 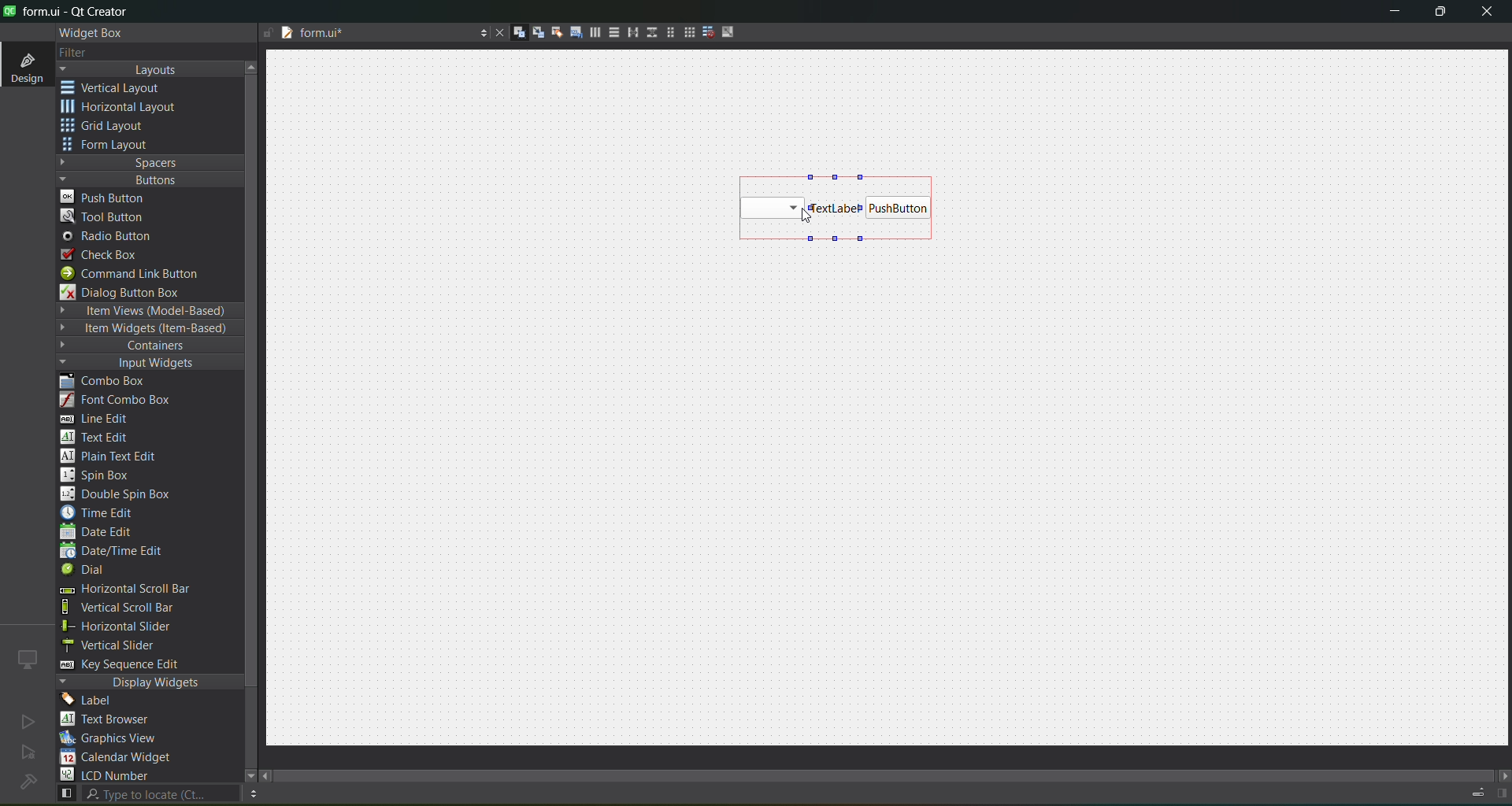 What do you see at coordinates (105, 196) in the screenshot?
I see `push` at bounding box center [105, 196].